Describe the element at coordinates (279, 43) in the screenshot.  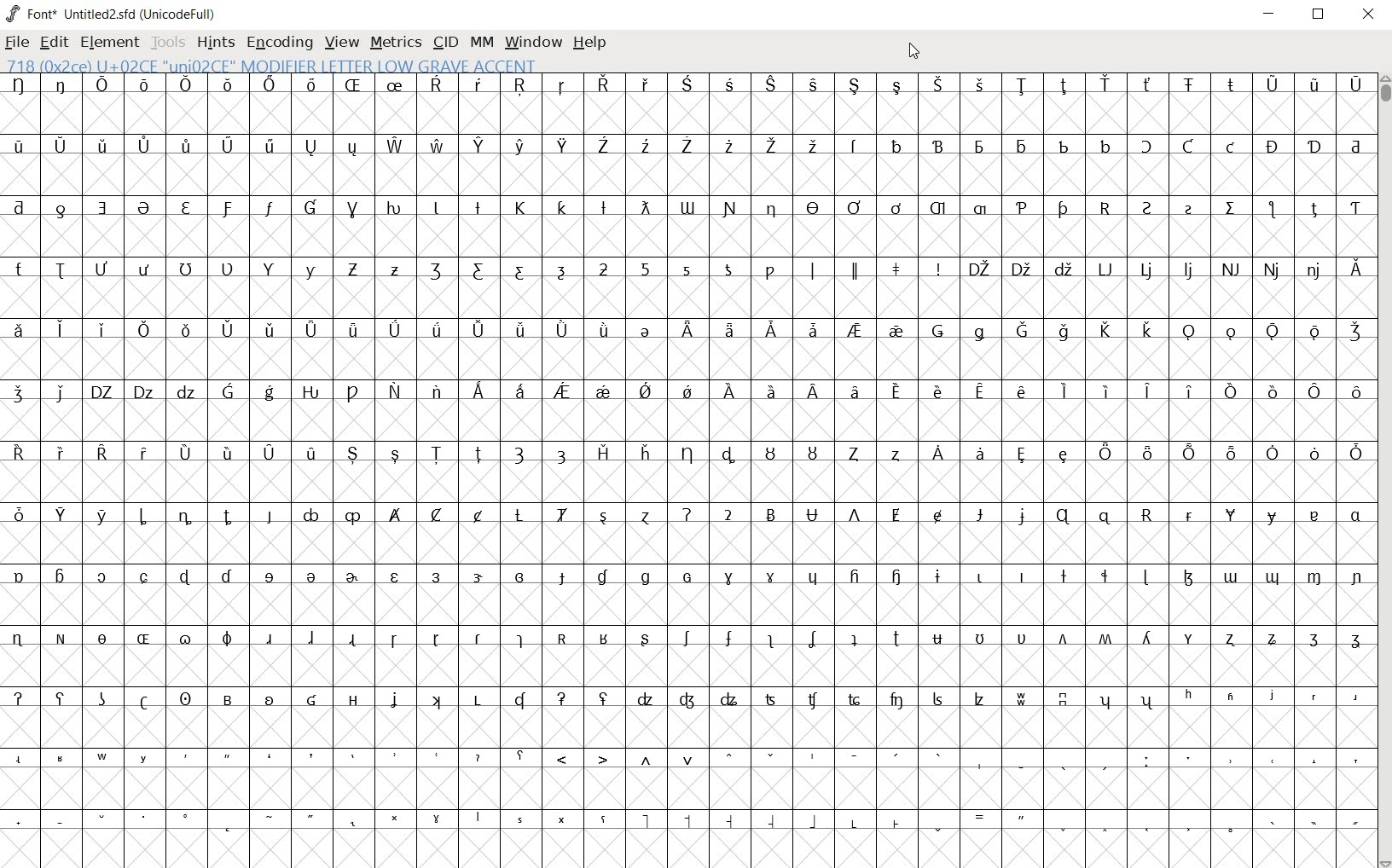
I see `Encoding` at that location.